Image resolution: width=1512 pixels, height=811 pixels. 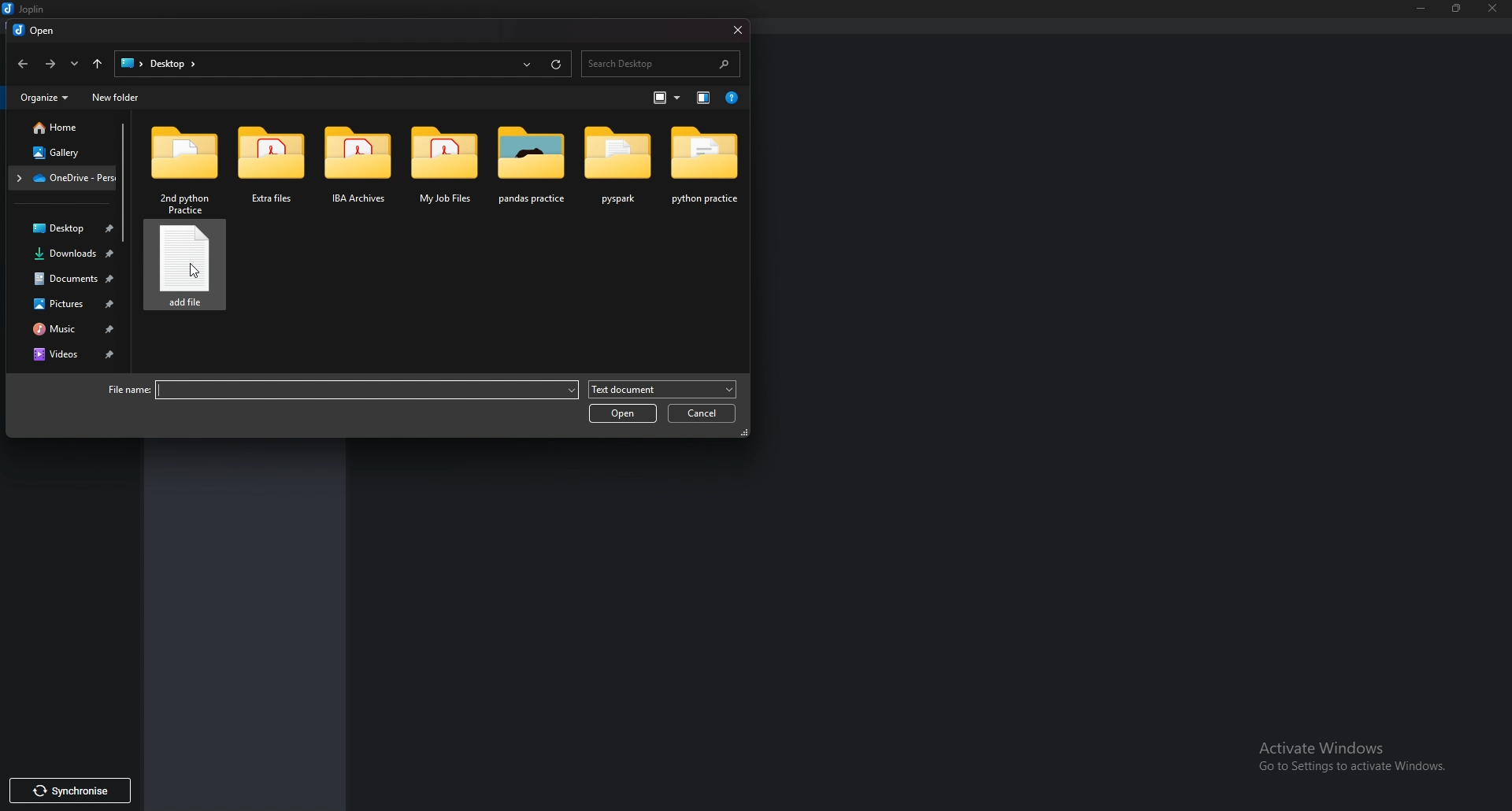 I want to click on Videos, so click(x=76, y=354).